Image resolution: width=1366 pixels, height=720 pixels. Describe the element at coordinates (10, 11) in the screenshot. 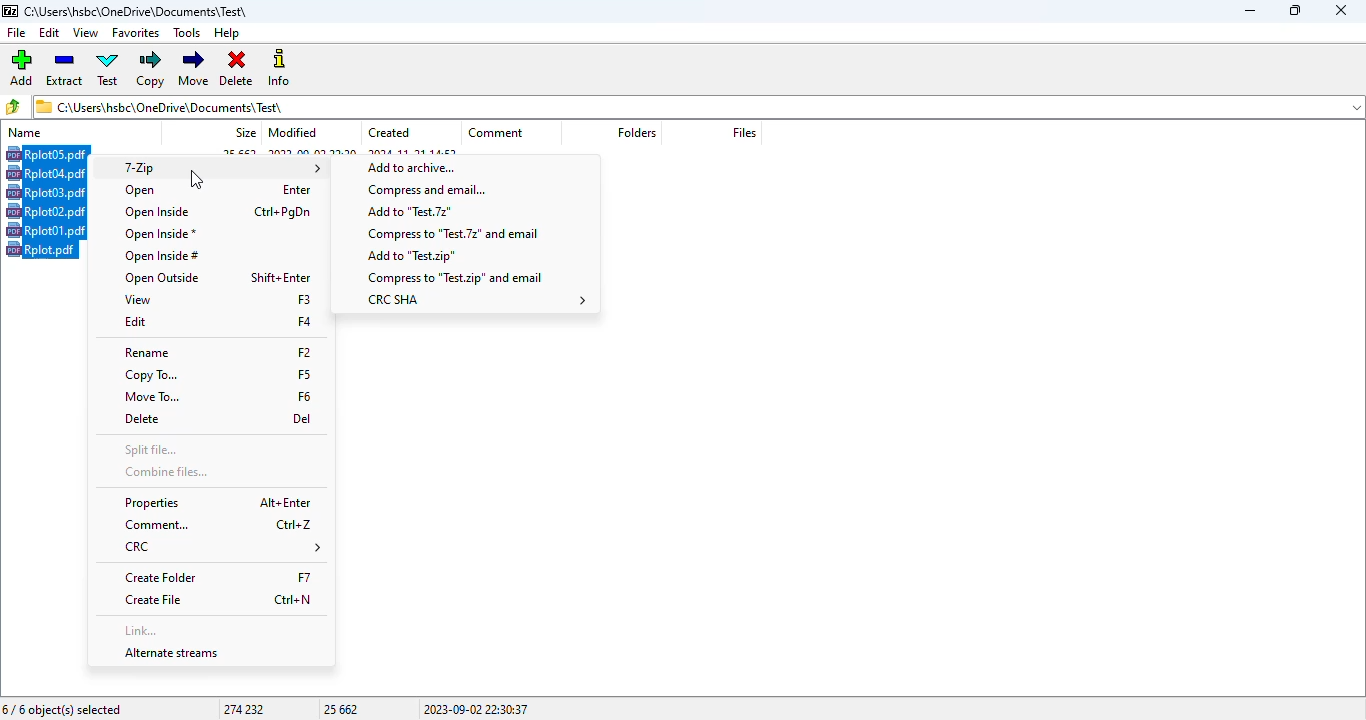

I see `logo` at that location.